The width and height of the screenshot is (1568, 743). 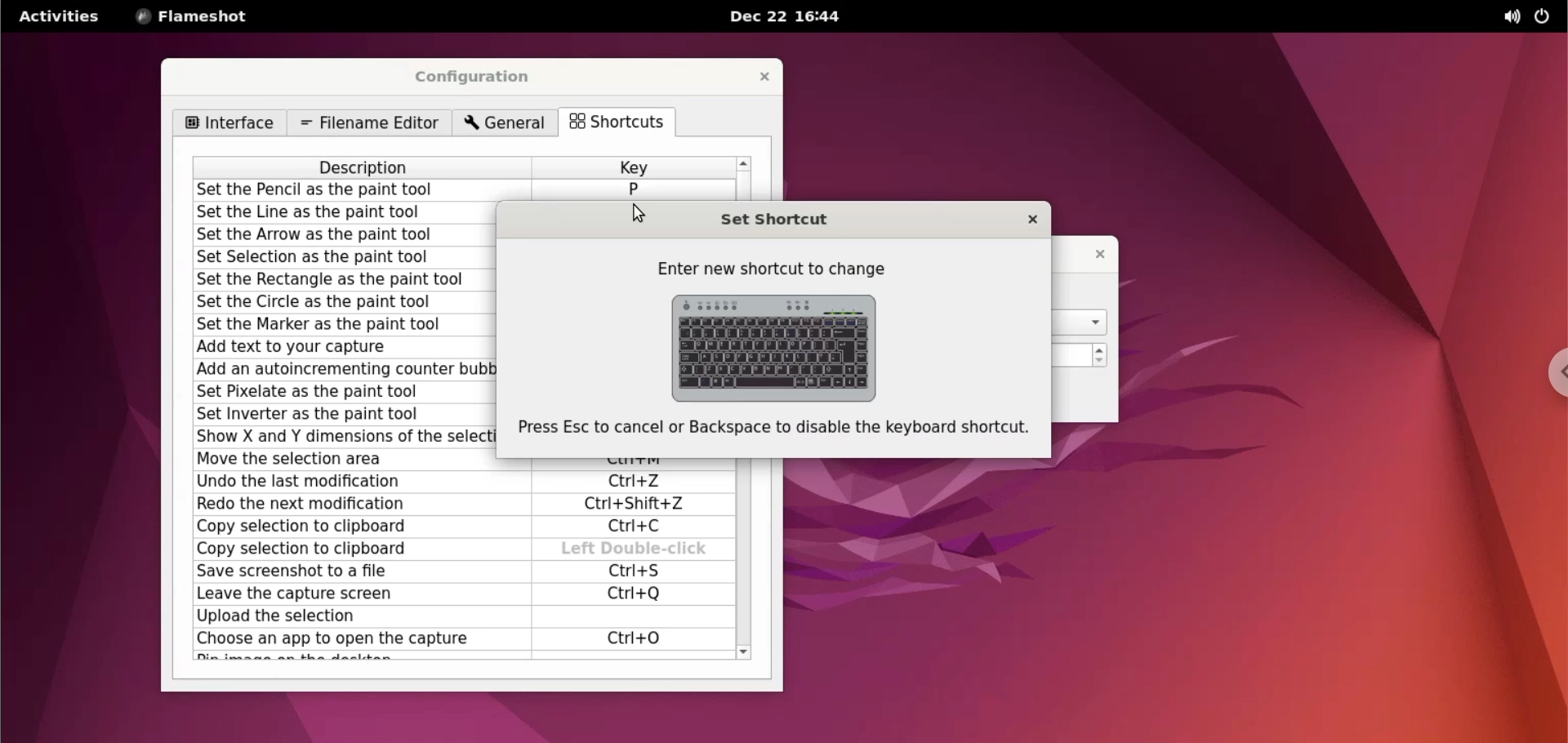 What do you see at coordinates (1548, 372) in the screenshot?
I see `chrome options` at bounding box center [1548, 372].